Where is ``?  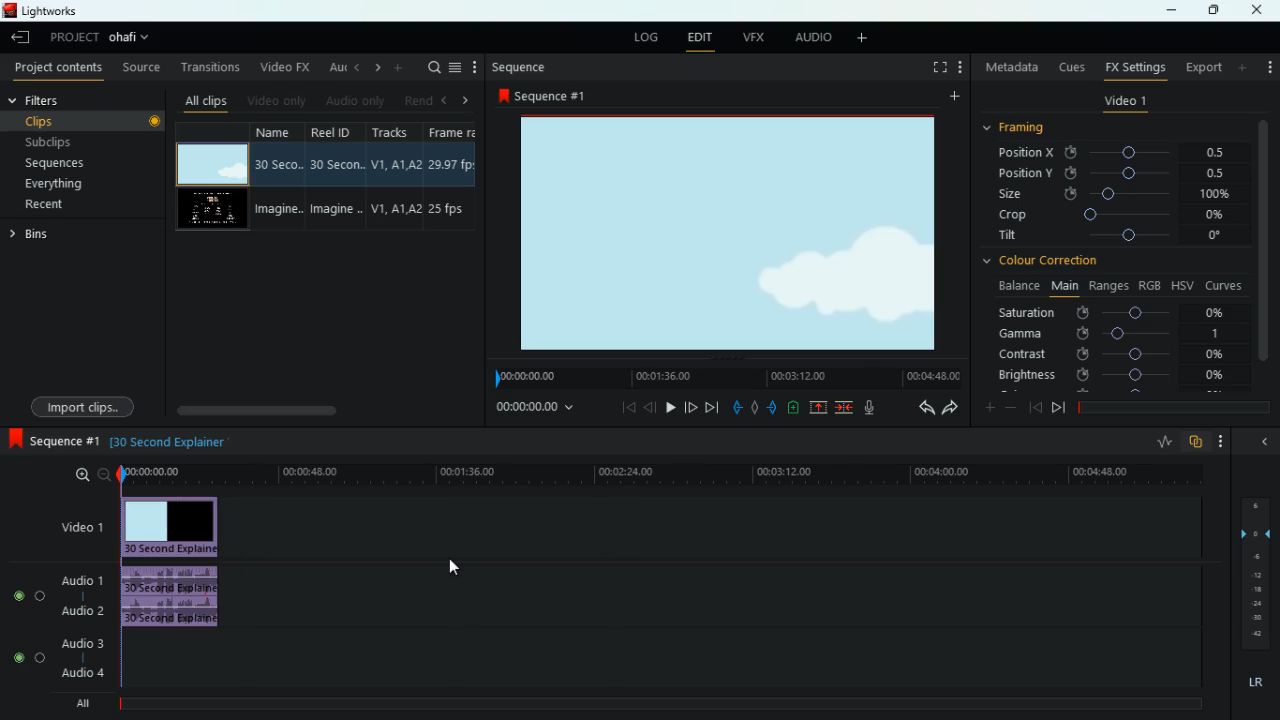
 is located at coordinates (155, 123).